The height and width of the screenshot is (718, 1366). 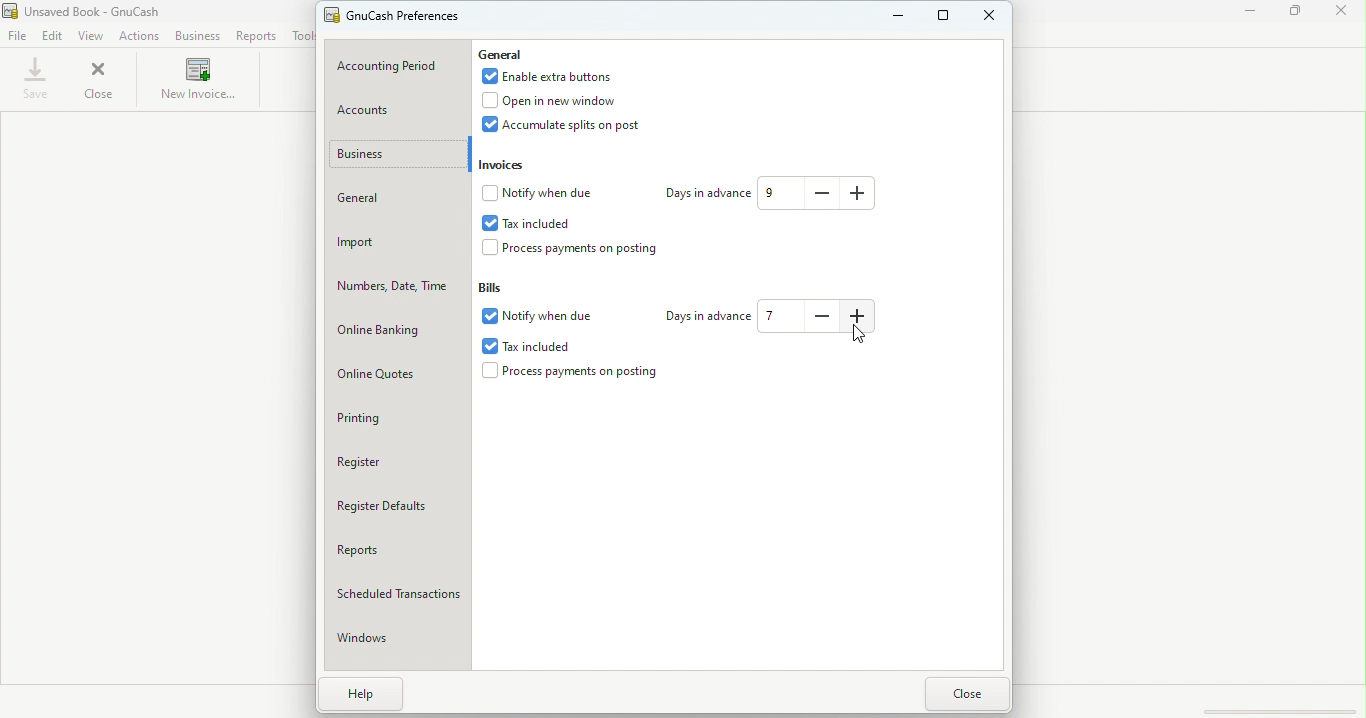 I want to click on Maximize, so click(x=942, y=19).